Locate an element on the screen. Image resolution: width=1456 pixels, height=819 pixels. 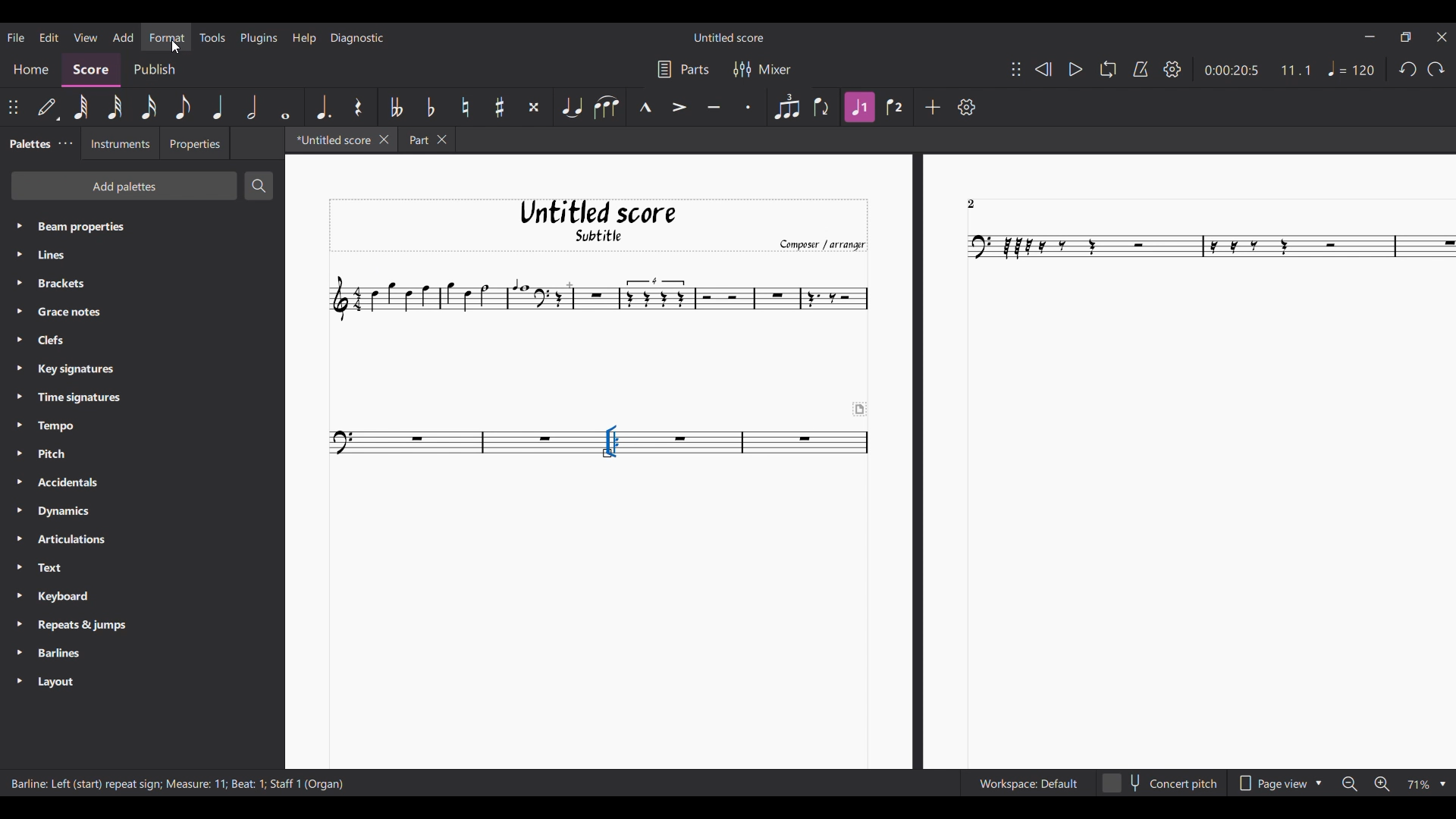
Toggle sharp is located at coordinates (499, 107).